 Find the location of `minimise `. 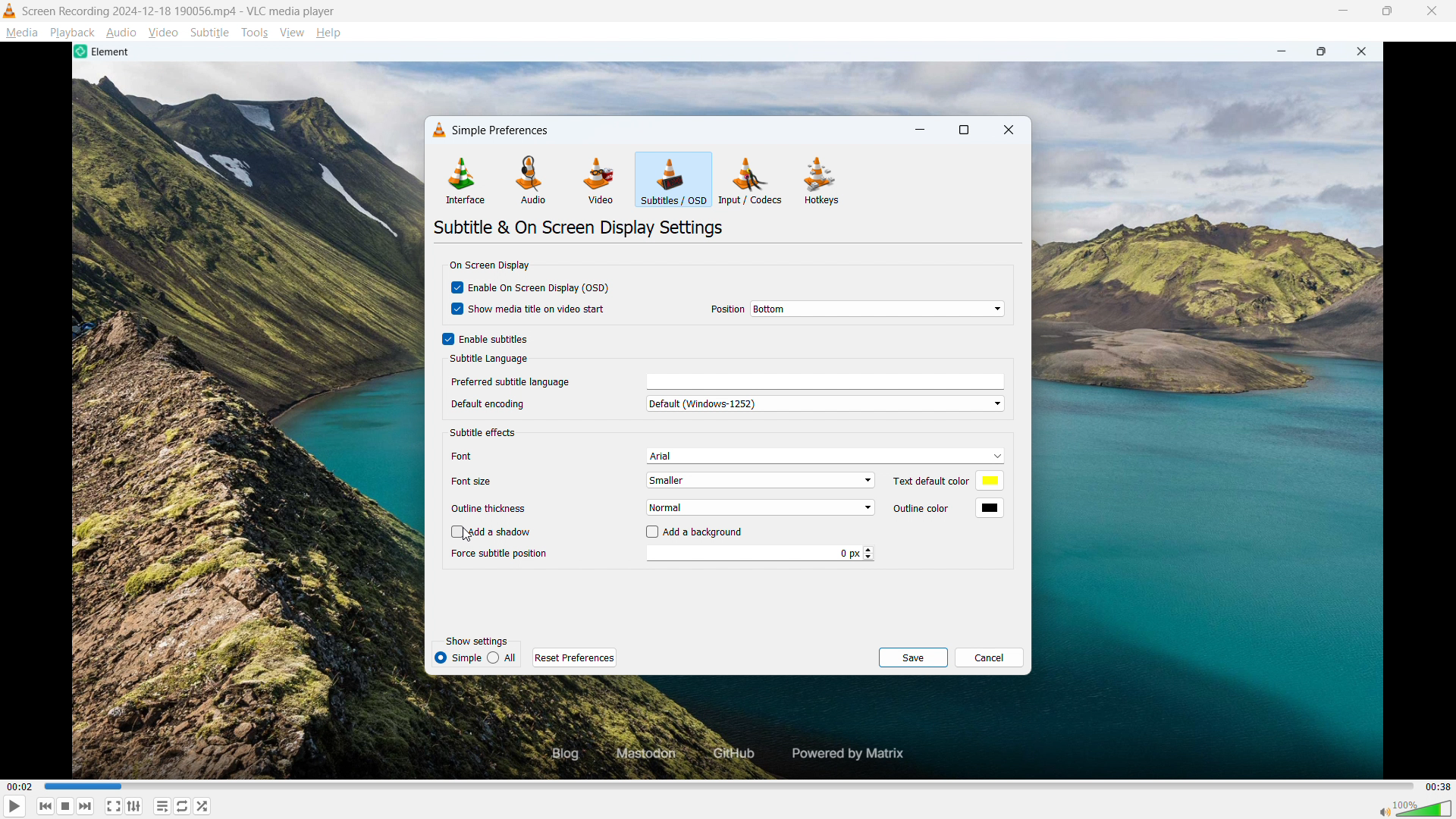

minimise  is located at coordinates (1344, 11).